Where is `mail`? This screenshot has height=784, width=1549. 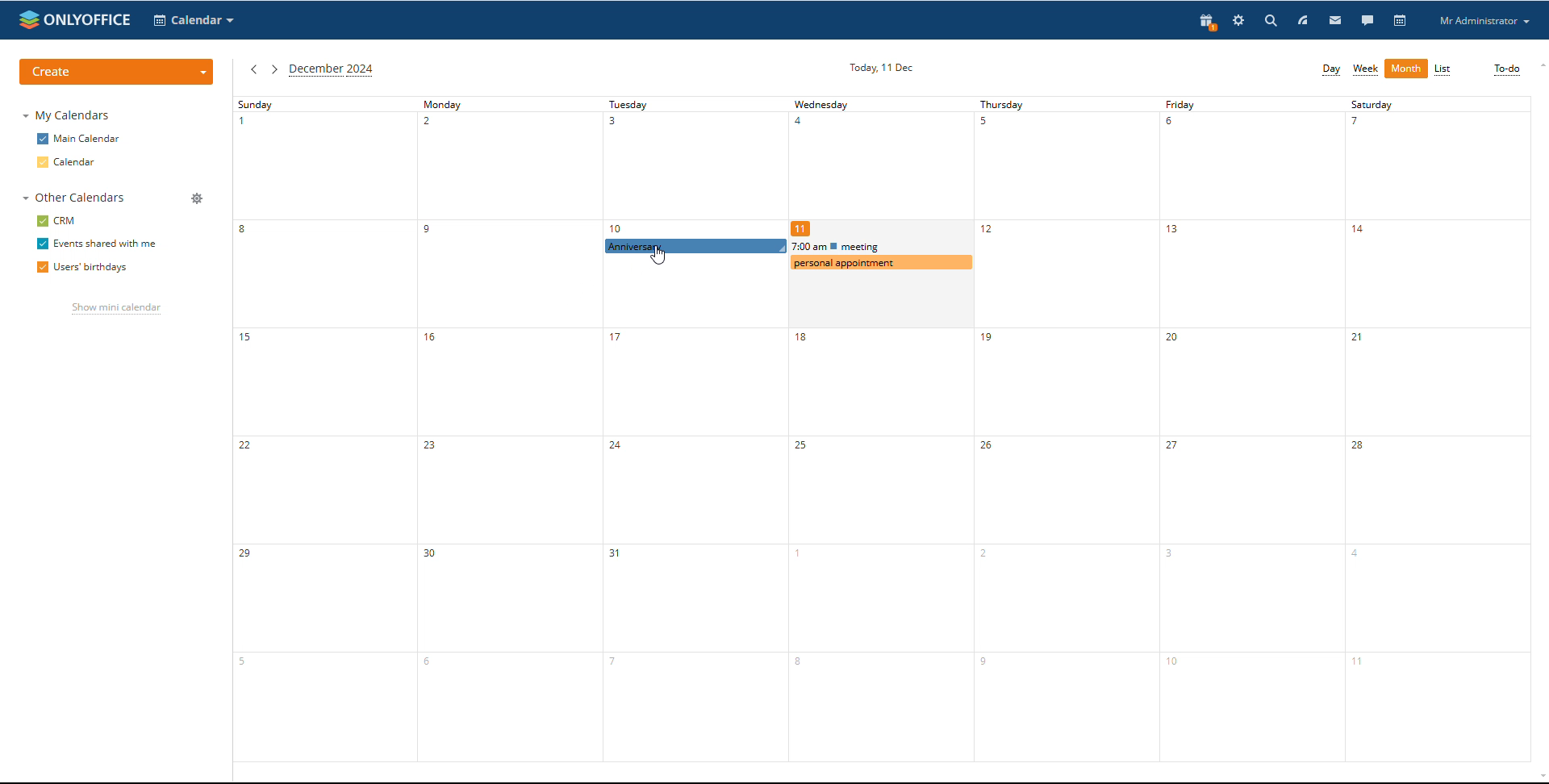
mail is located at coordinates (1336, 19).